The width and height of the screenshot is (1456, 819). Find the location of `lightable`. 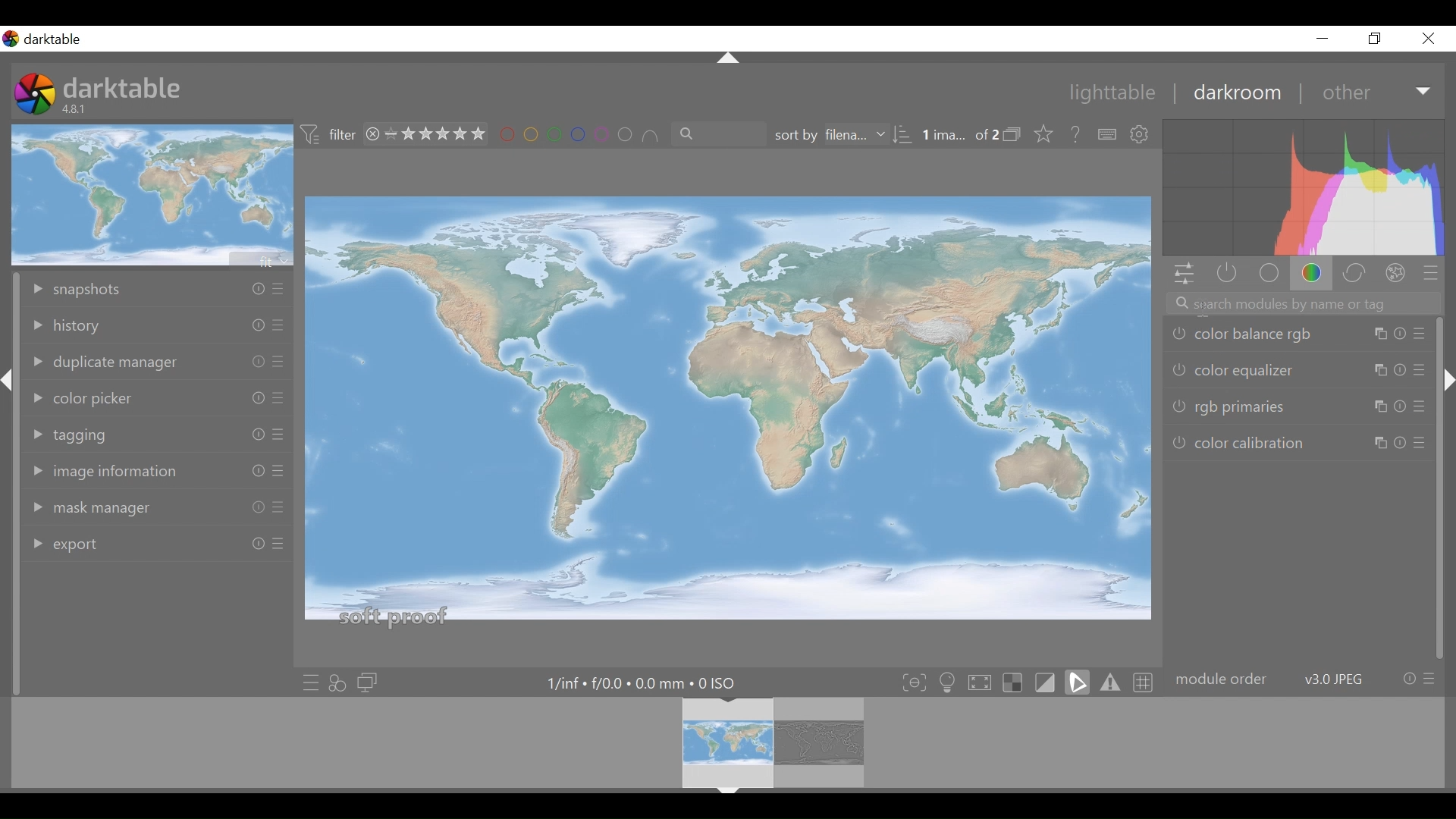

lightable is located at coordinates (1113, 93).